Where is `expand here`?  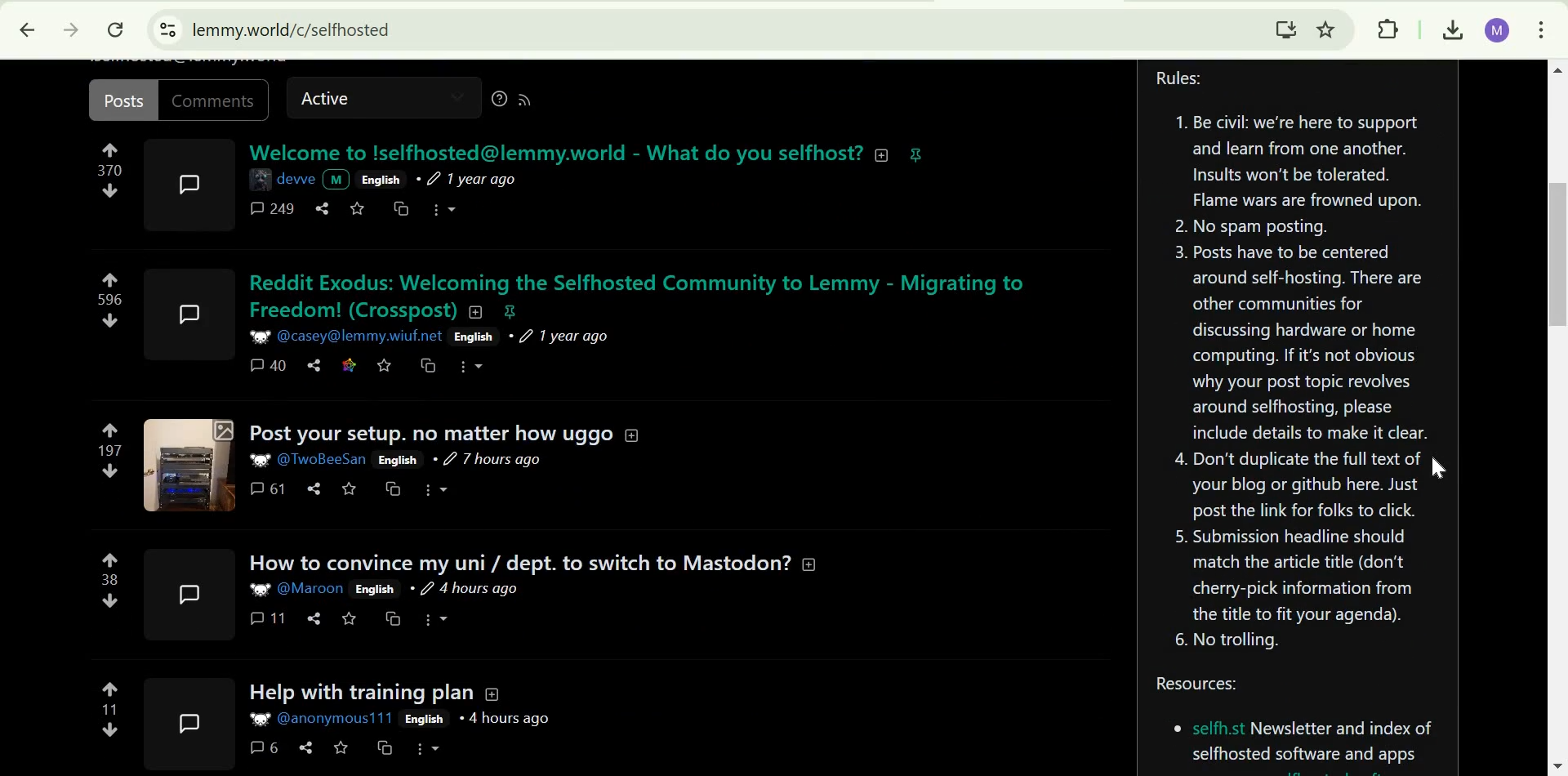
expand here is located at coordinates (190, 184).